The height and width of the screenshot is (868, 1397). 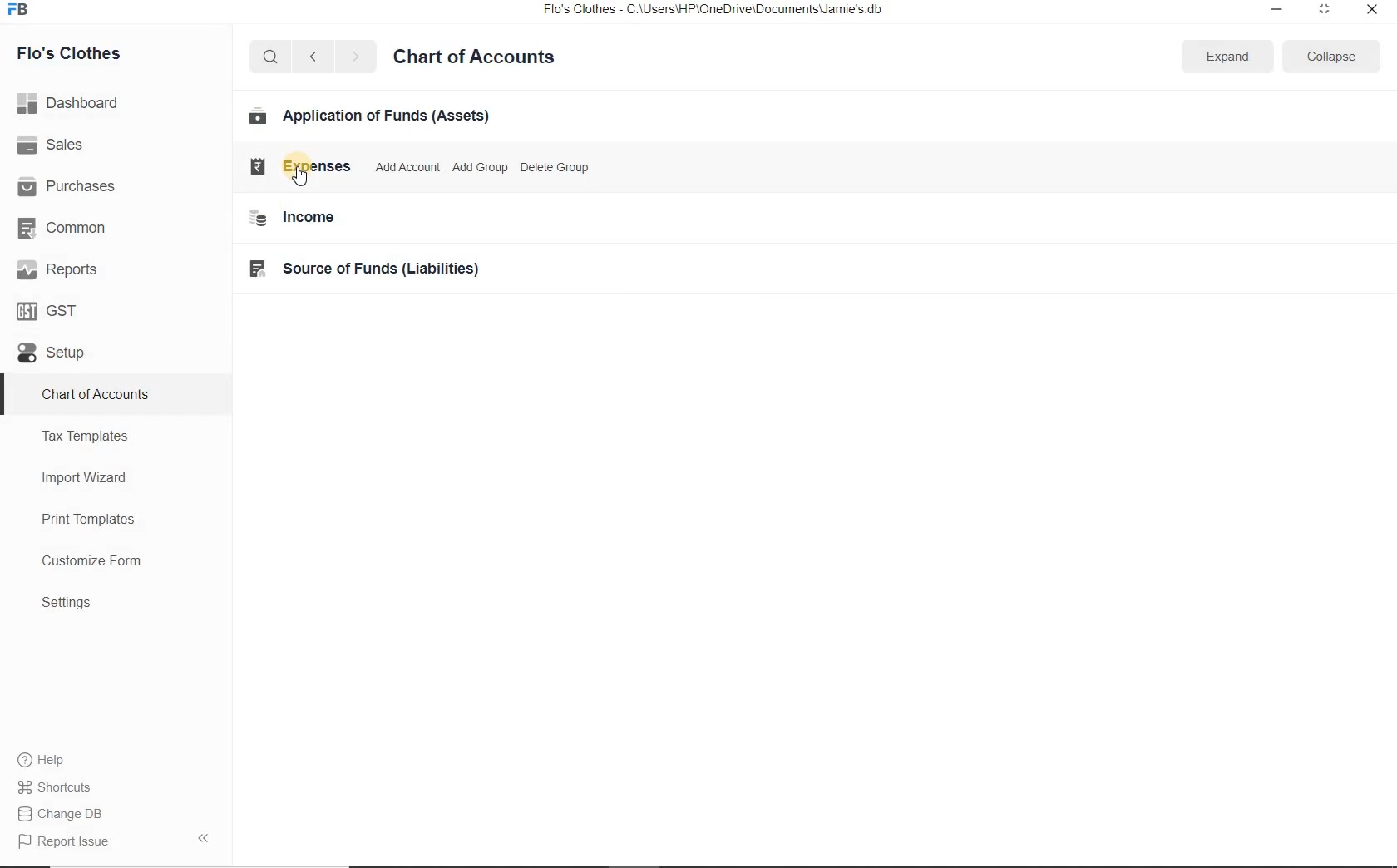 What do you see at coordinates (49, 310) in the screenshot?
I see `GST` at bounding box center [49, 310].